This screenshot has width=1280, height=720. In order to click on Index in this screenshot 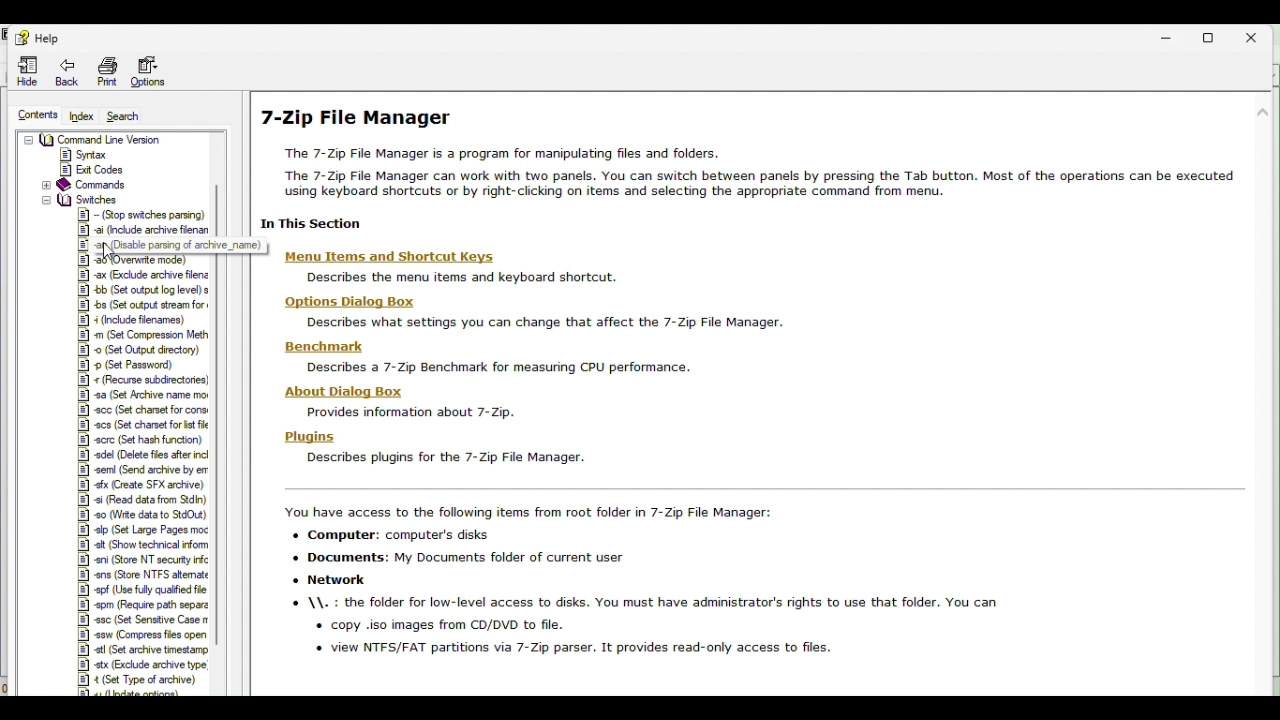, I will do `click(79, 115)`.